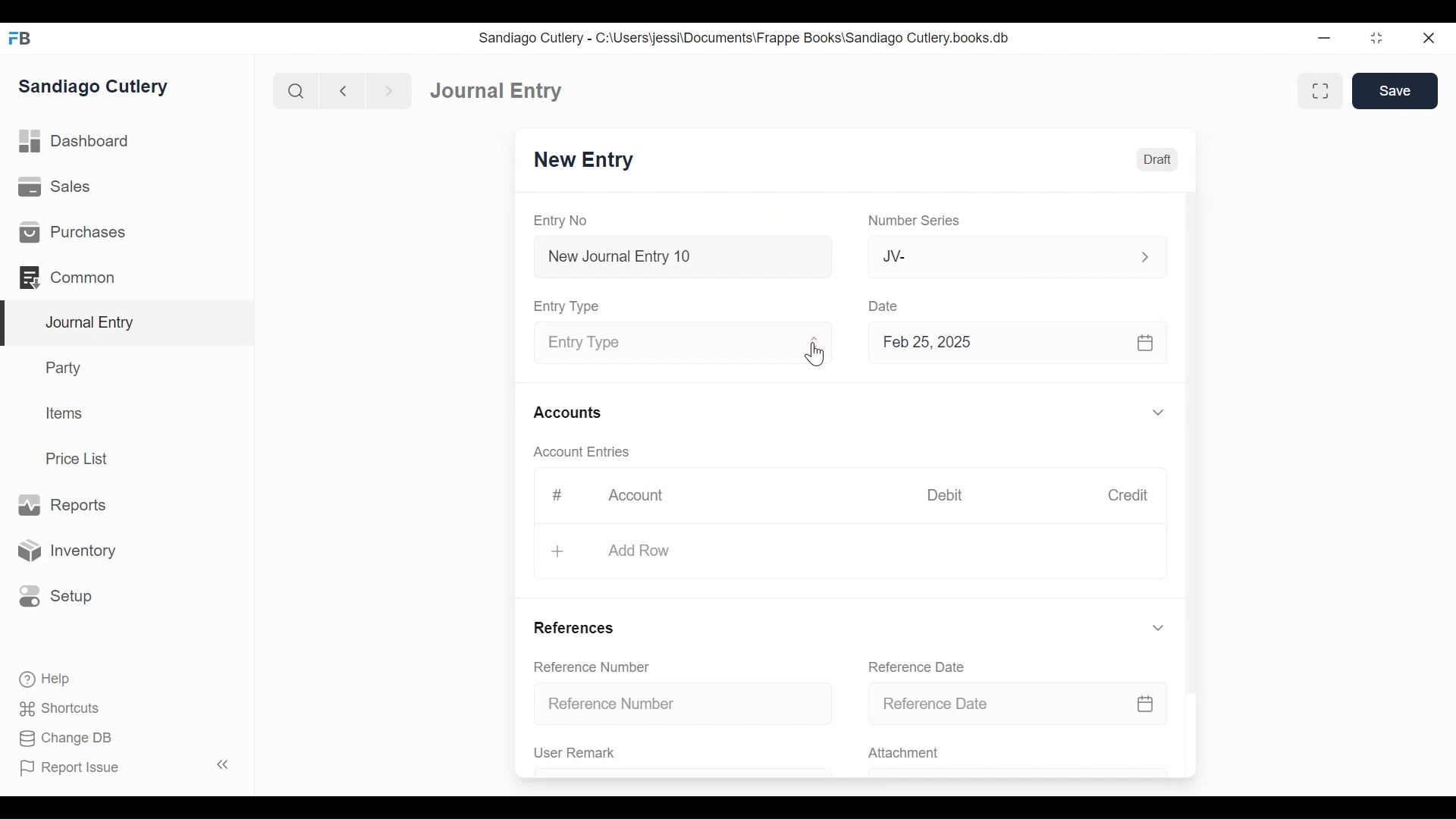 This screenshot has width=1456, height=819. What do you see at coordinates (686, 704) in the screenshot?
I see `Reference Number` at bounding box center [686, 704].